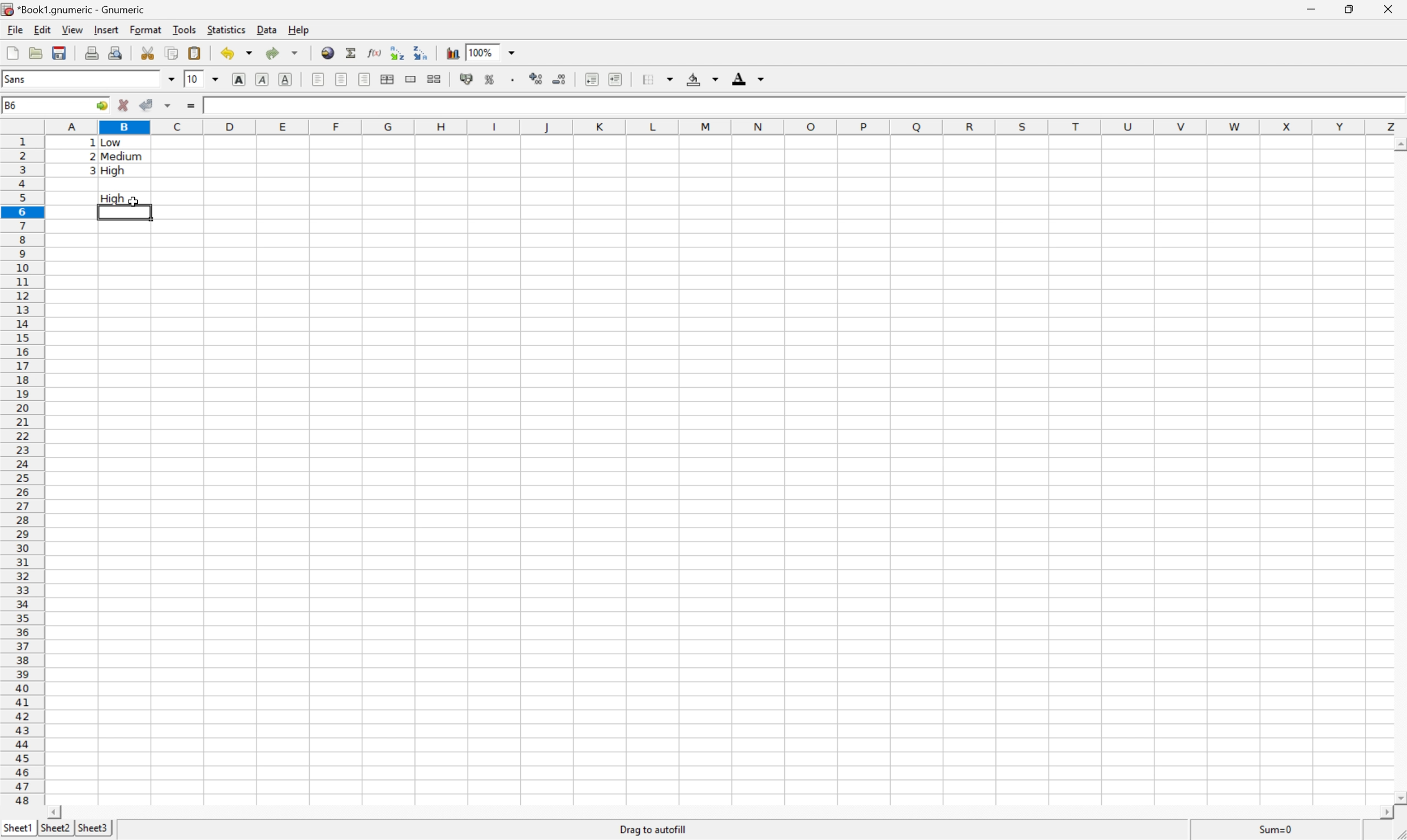 The image size is (1407, 840). What do you see at coordinates (281, 52) in the screenshot?
I see `Redo` at bounding box center [281, 52].